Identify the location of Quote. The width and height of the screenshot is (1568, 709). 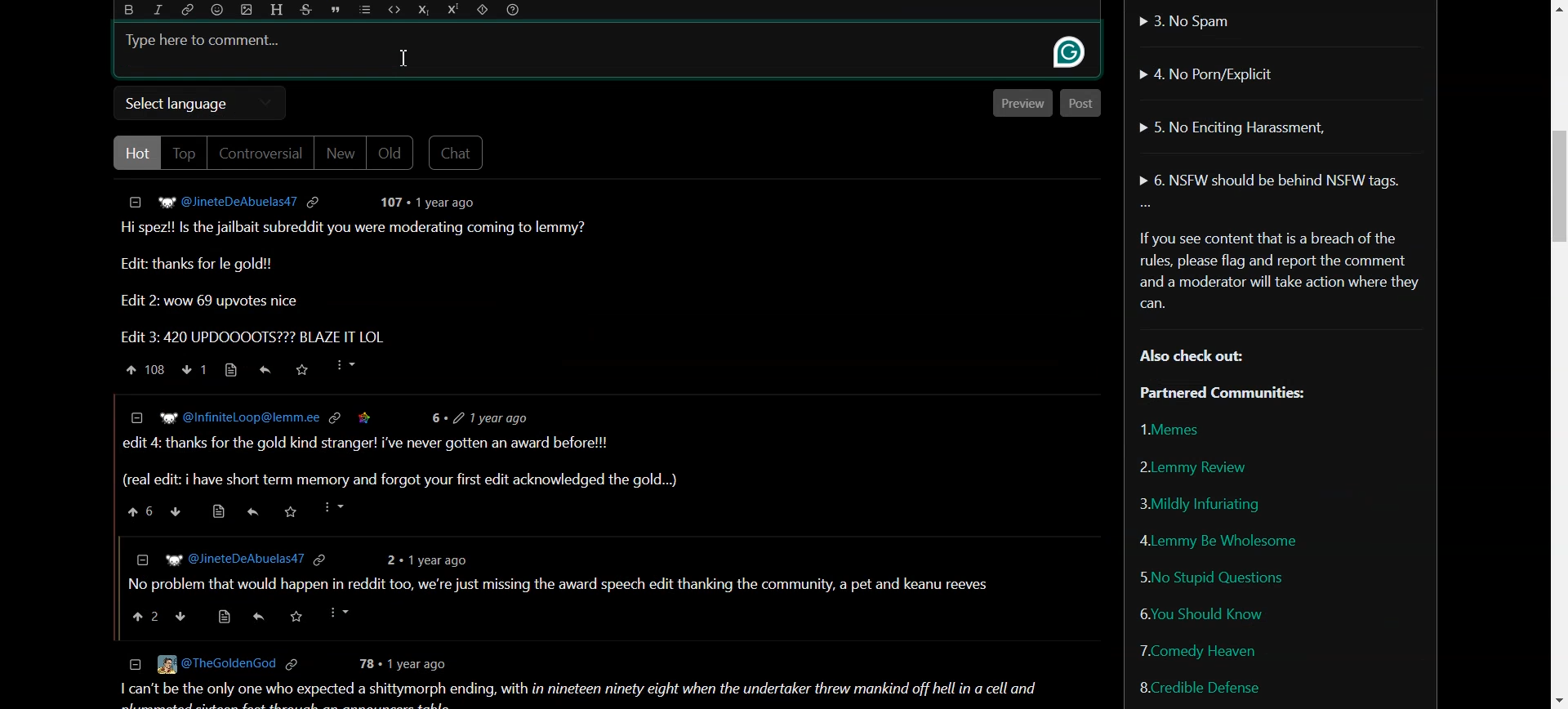
(337, 10).